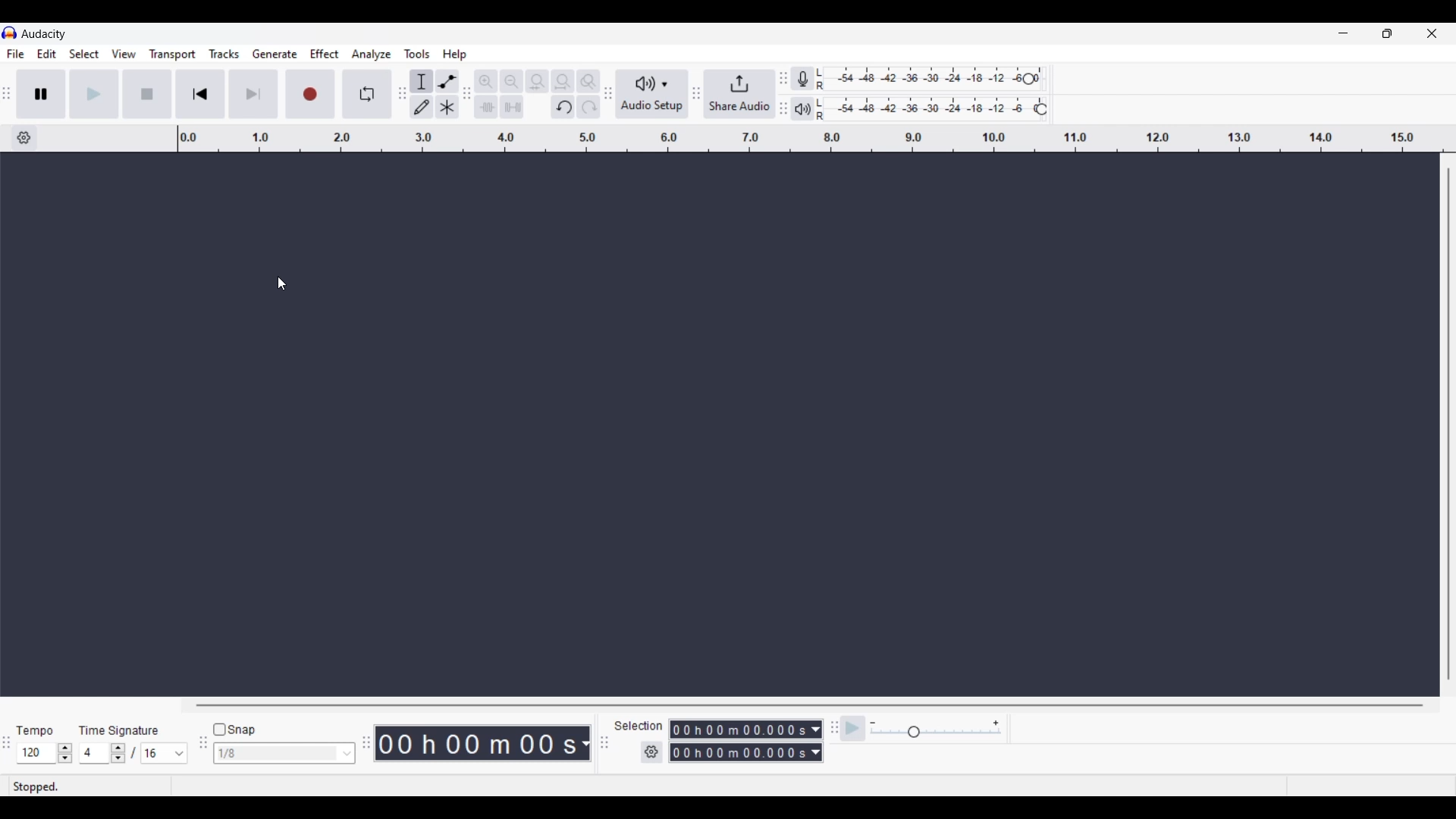 The height and width of the screenshot is (819, 1456). What do you see at coordinates (817, 139) in the screenshot?
I see `Scale to measure audio length` at bounding box center [817, 139].